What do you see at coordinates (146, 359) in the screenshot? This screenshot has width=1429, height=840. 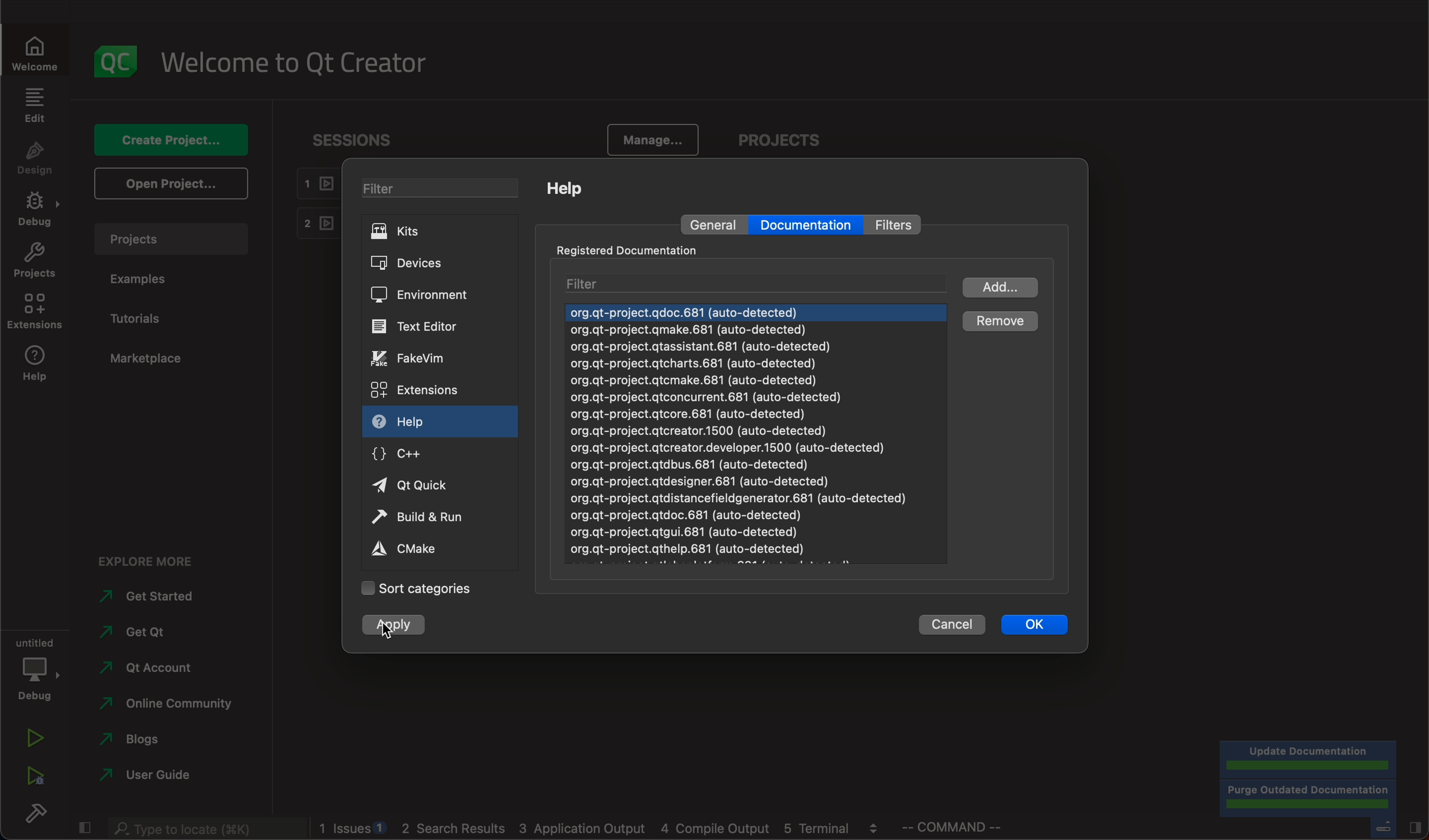 I see `marketplace` at bounding box center [146, 359].